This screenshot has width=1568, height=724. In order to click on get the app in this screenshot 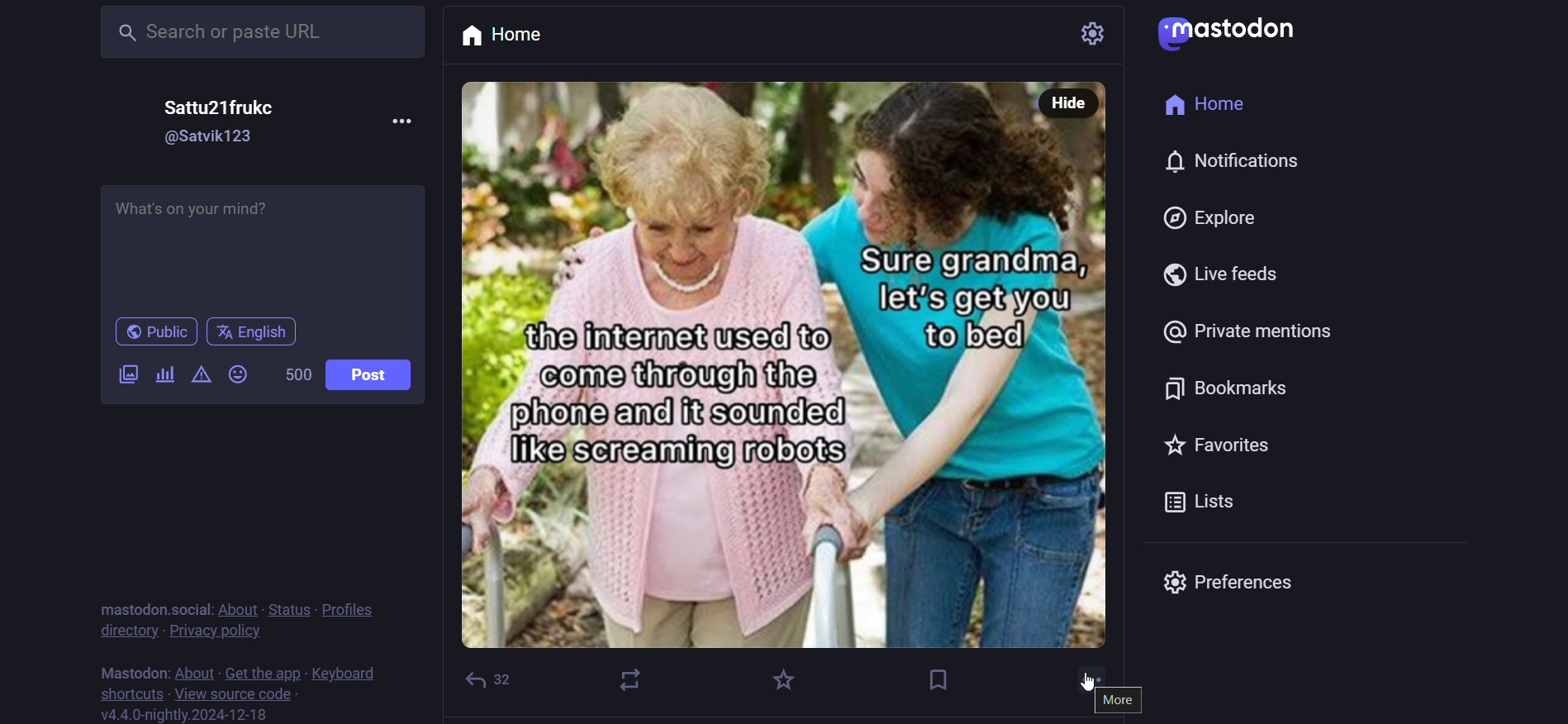, I will do `click(264, 670)`.